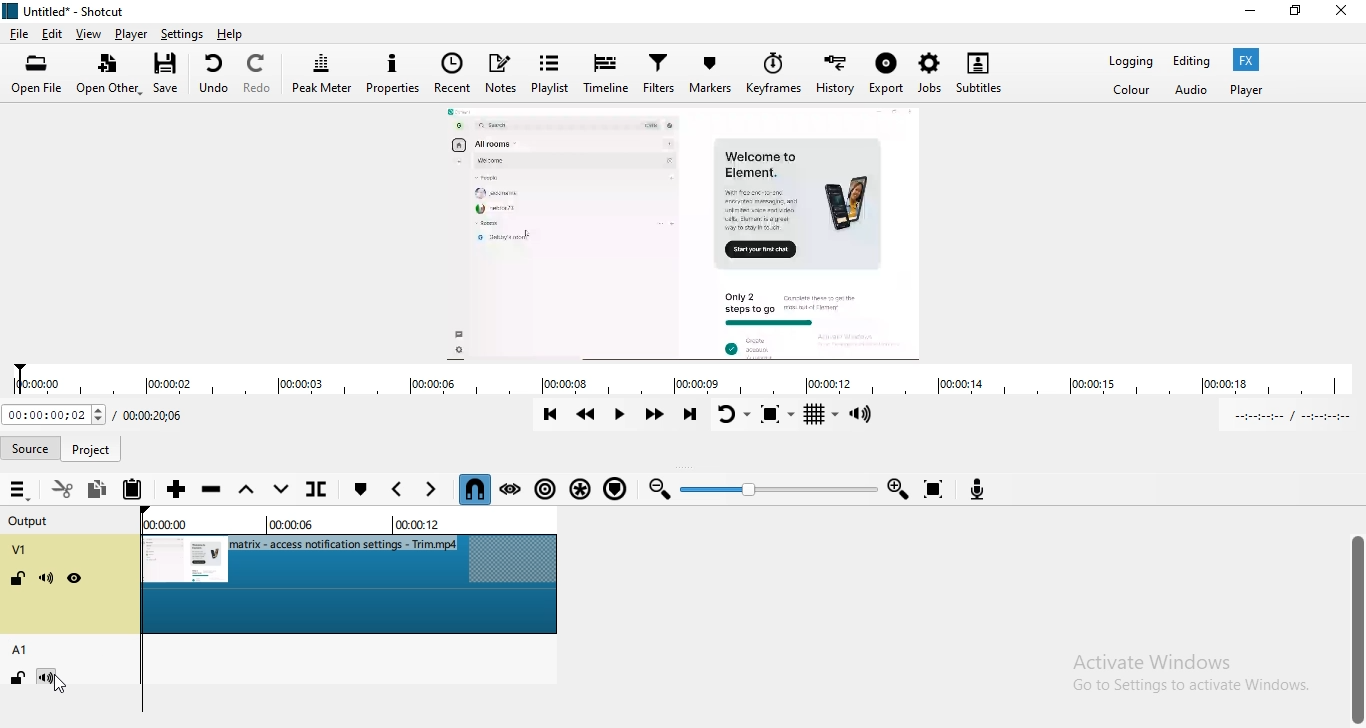 This screenshot has width=1366, height=728. Describe the element at coordinates (692, 417) in the screenshot. I see `Skip to the next point ` at that location.